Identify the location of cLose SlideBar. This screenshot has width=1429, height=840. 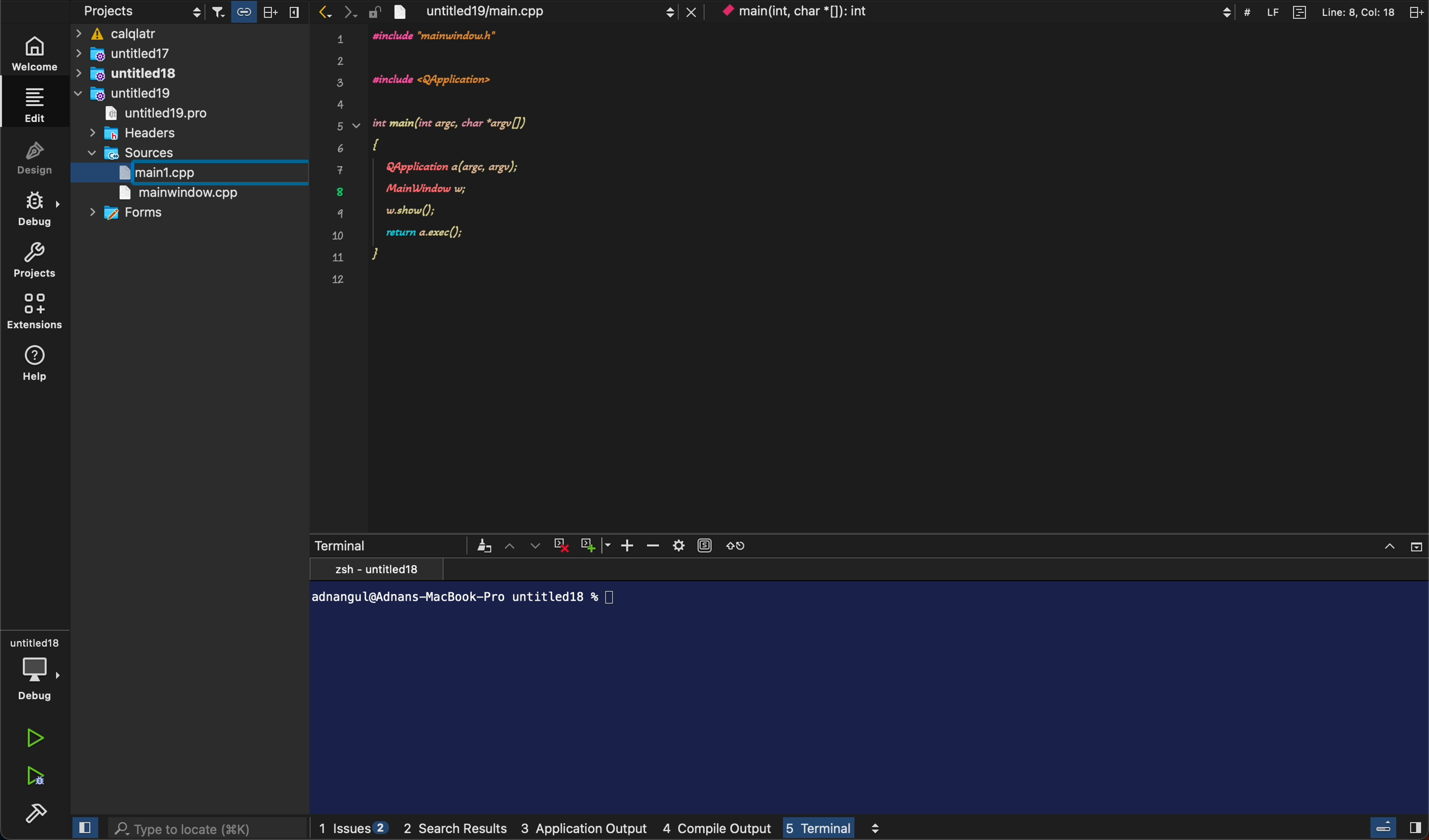
(82, 827).